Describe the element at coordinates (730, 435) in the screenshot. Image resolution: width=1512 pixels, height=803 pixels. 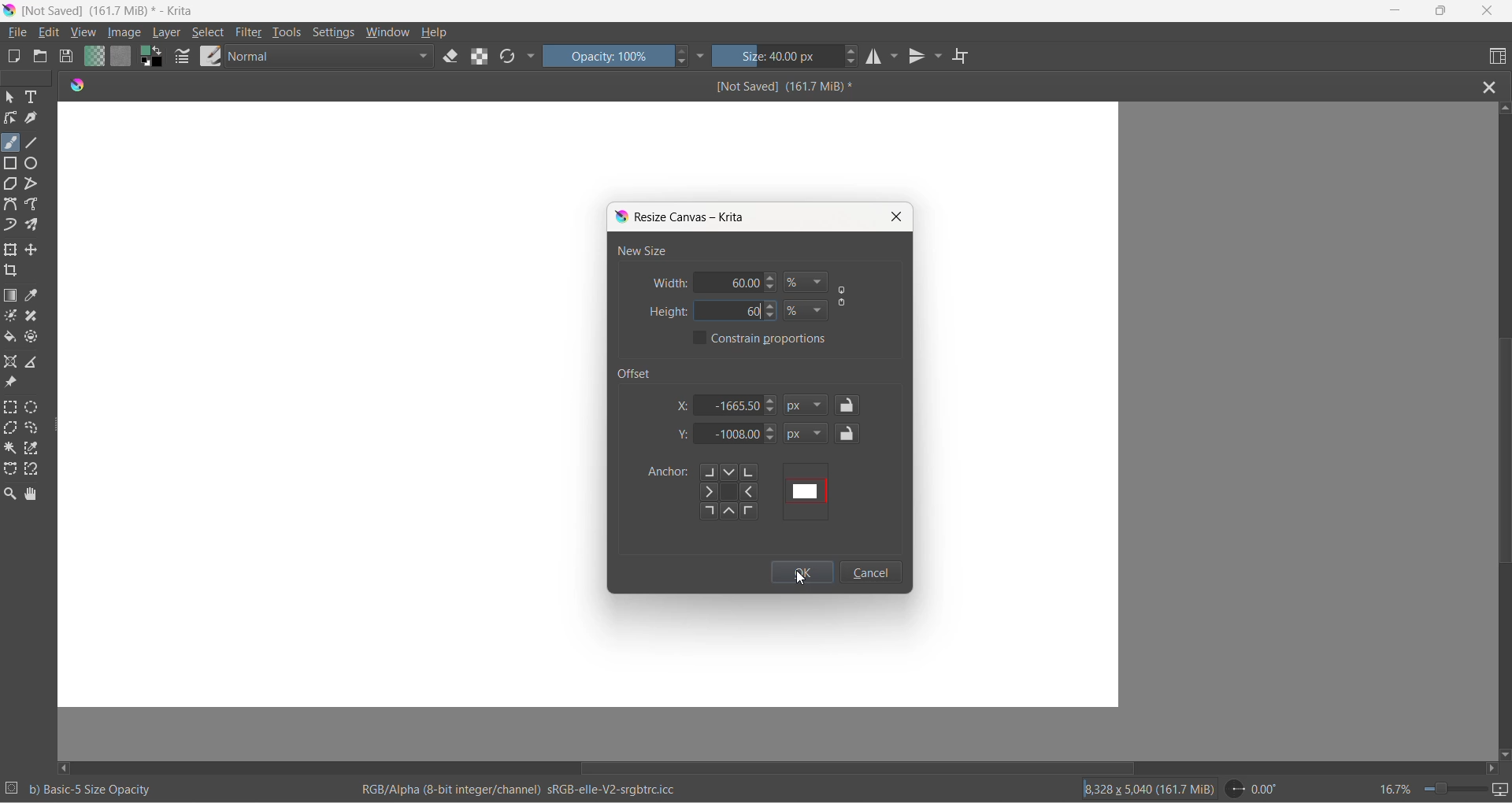
I see `y-axis value box` at that location.